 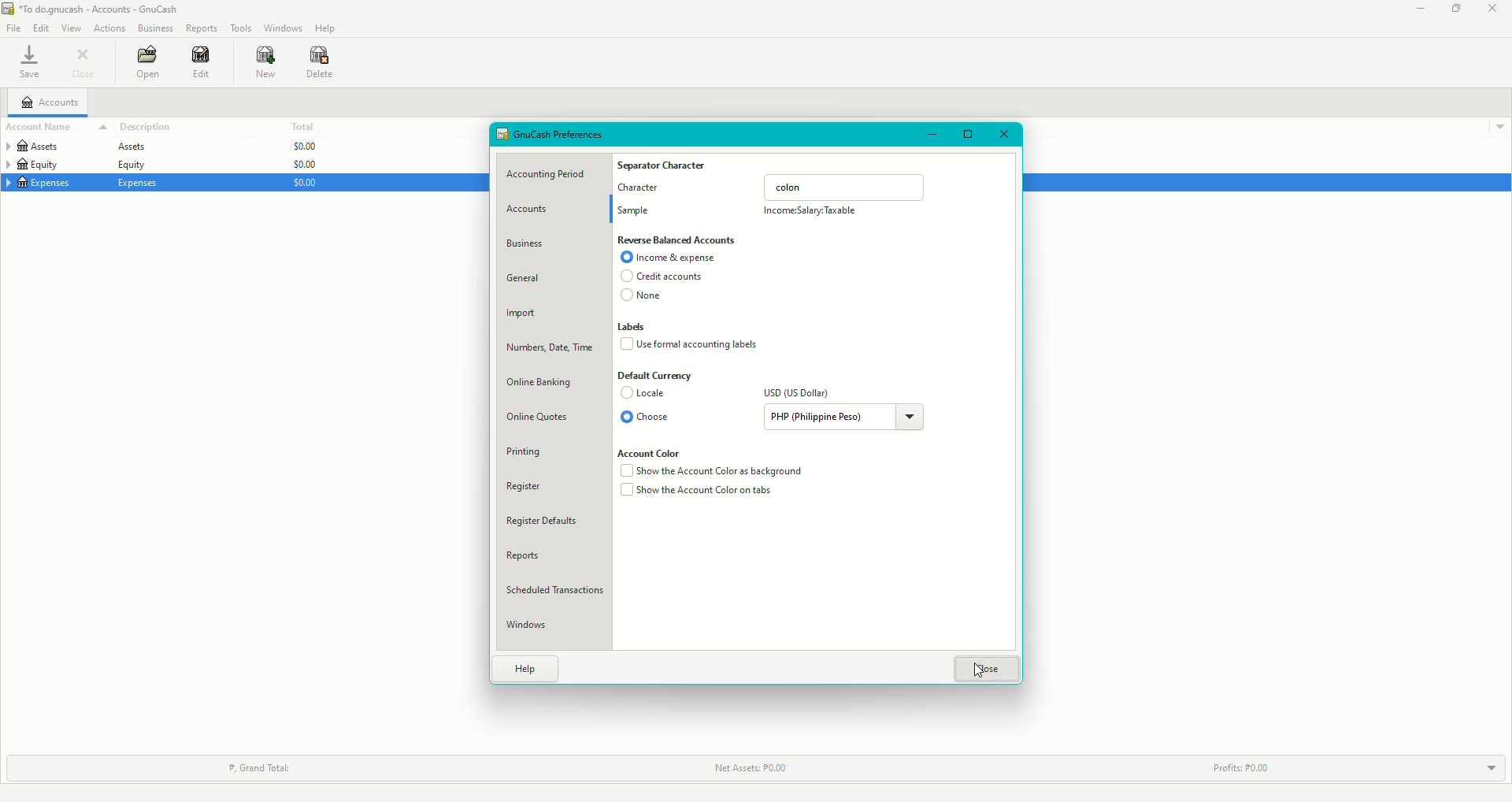 I want to click on Online Quotes, so click(x=538, y=419).